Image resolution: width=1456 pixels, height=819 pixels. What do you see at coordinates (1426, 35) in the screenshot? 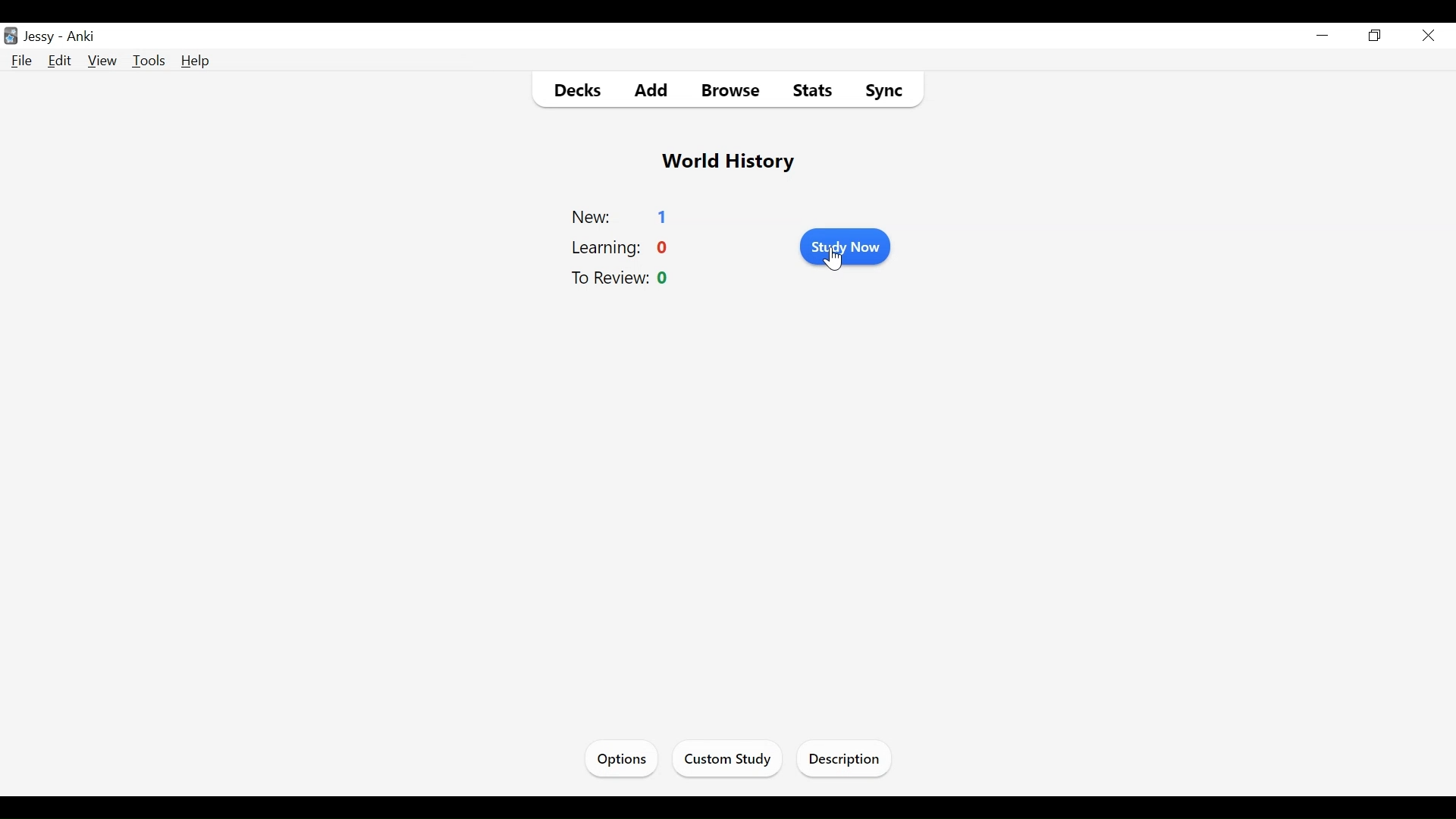
I see `Close` at bounding box center [1426, 35].